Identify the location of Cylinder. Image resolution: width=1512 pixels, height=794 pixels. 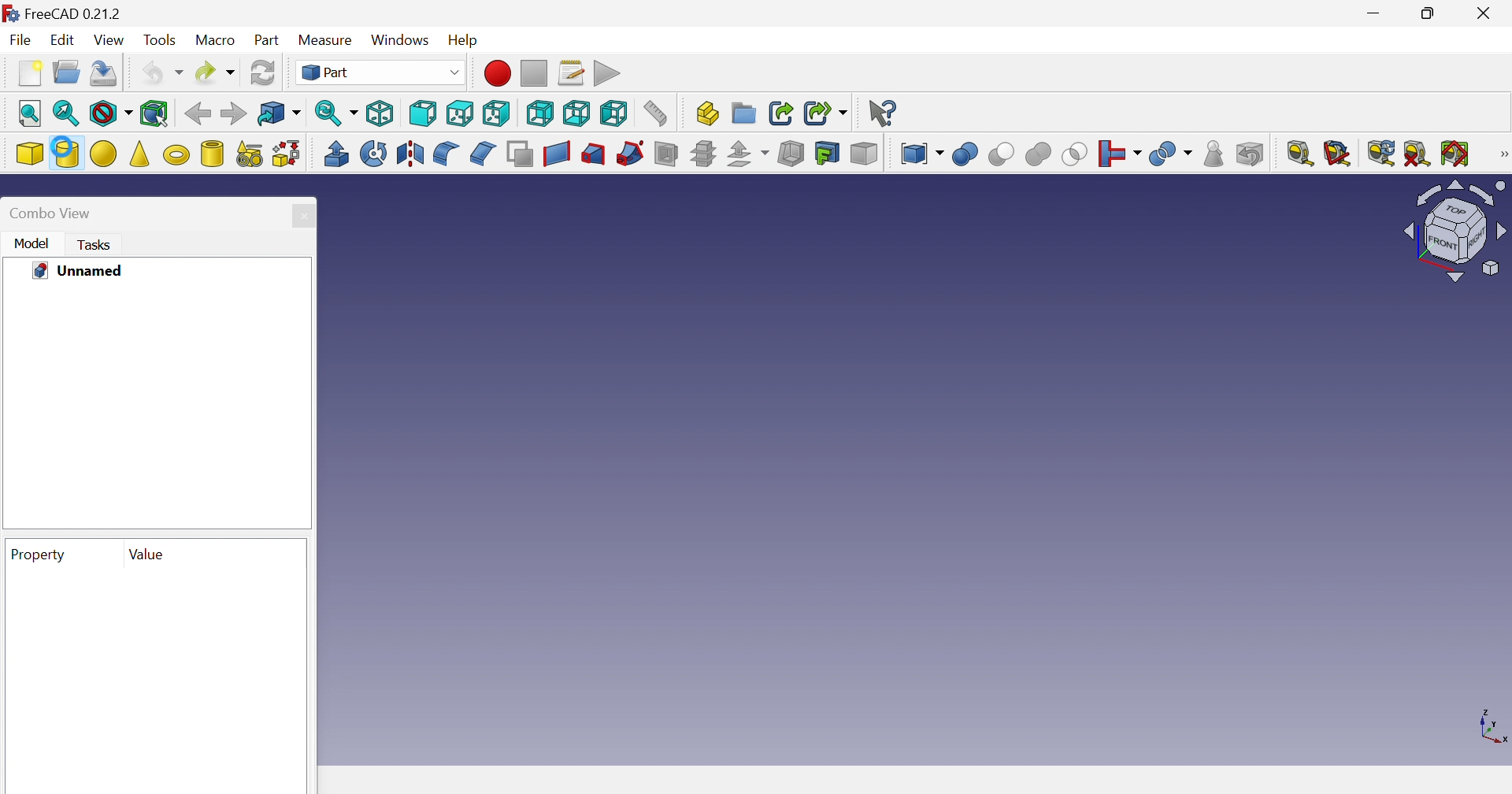
(66, 153).